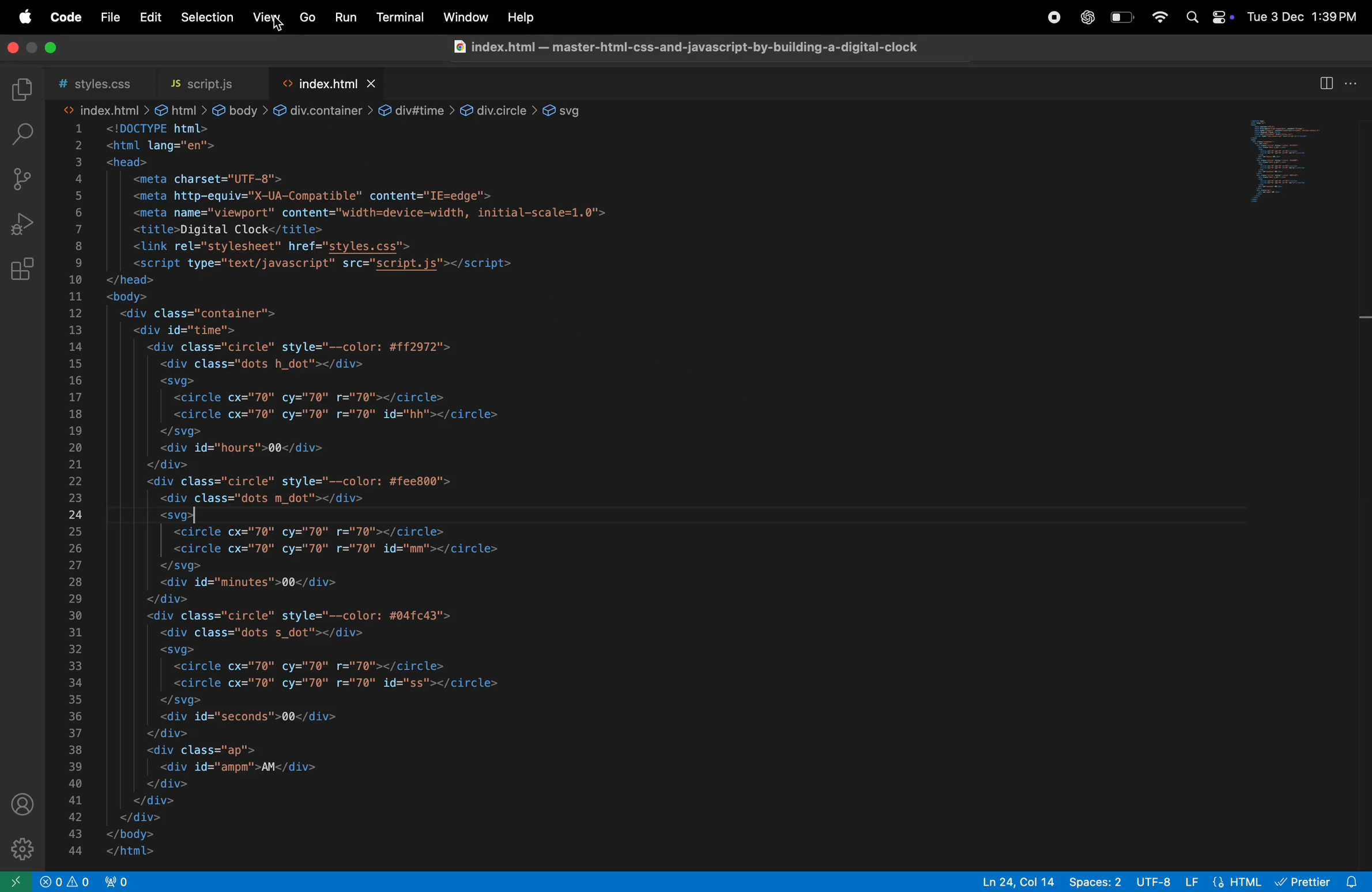 The image size is (1372, 892). What do you see at coordinates (1225, 880) in the screenshot?
I see `html` at bounding box center [1225, 880].